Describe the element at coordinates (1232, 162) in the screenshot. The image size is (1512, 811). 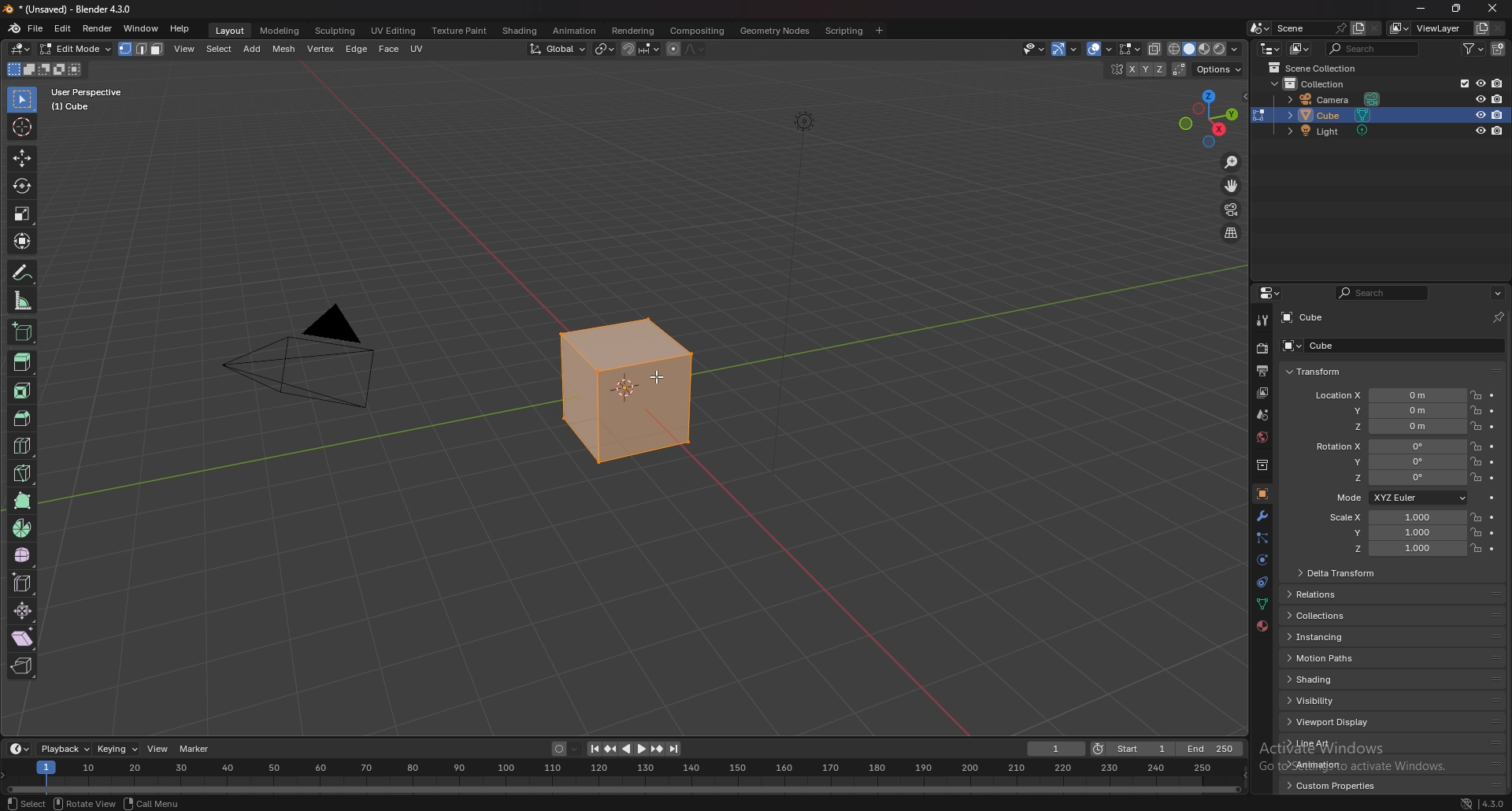
I see `zoom` at that location.